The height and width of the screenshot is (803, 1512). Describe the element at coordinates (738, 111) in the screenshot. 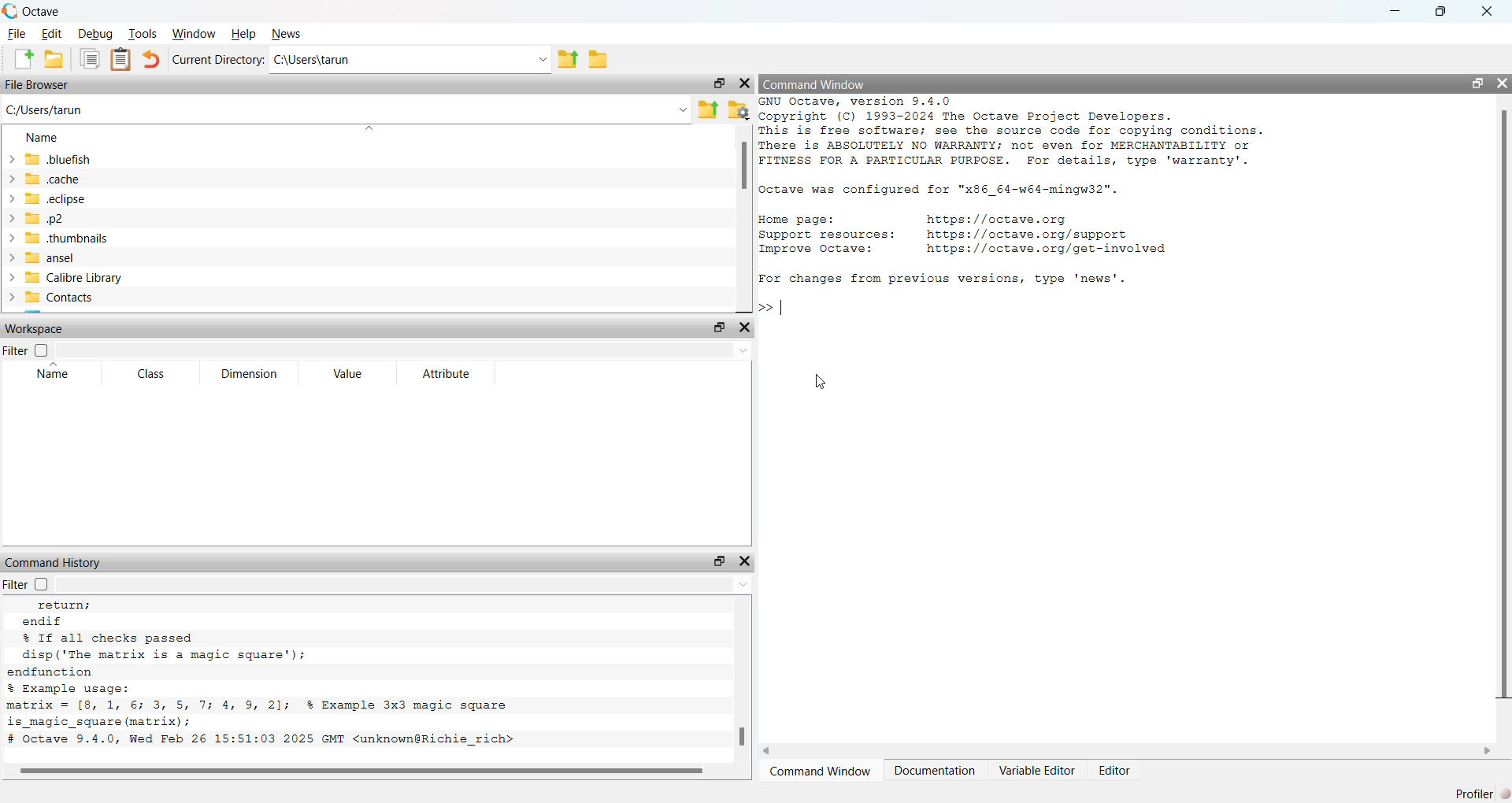

I see `Folder settings` at that location.